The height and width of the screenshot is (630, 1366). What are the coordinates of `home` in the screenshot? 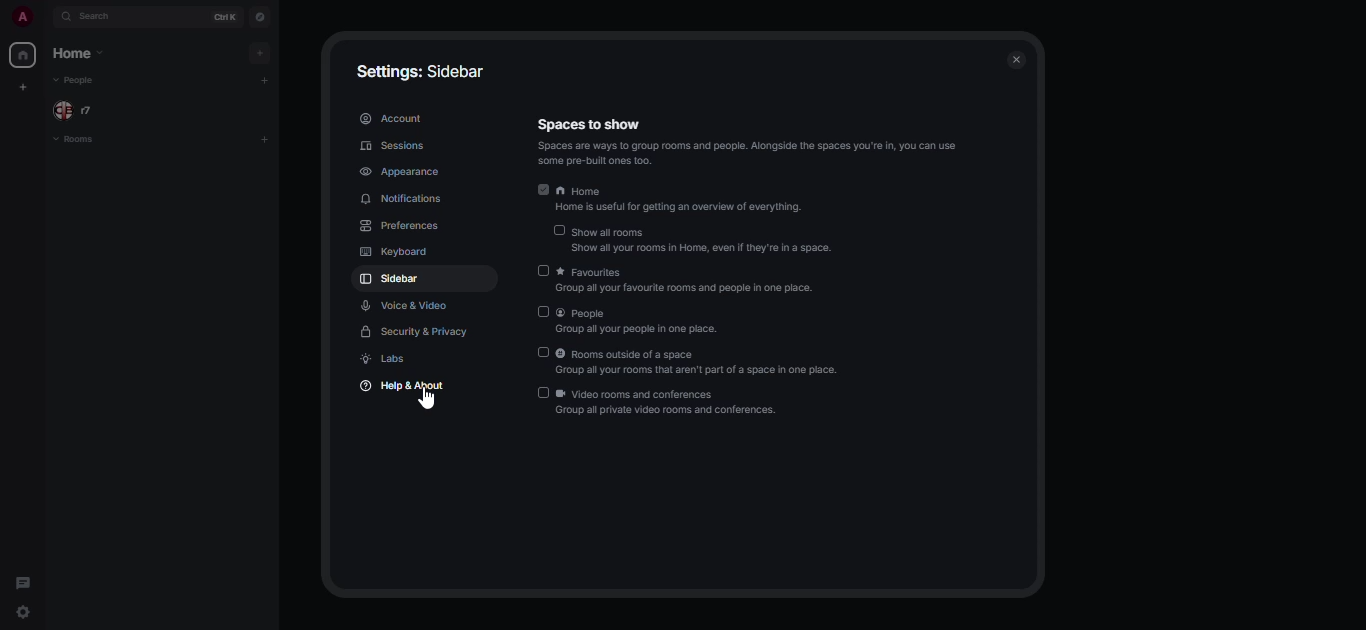 It's located at (86, 54).